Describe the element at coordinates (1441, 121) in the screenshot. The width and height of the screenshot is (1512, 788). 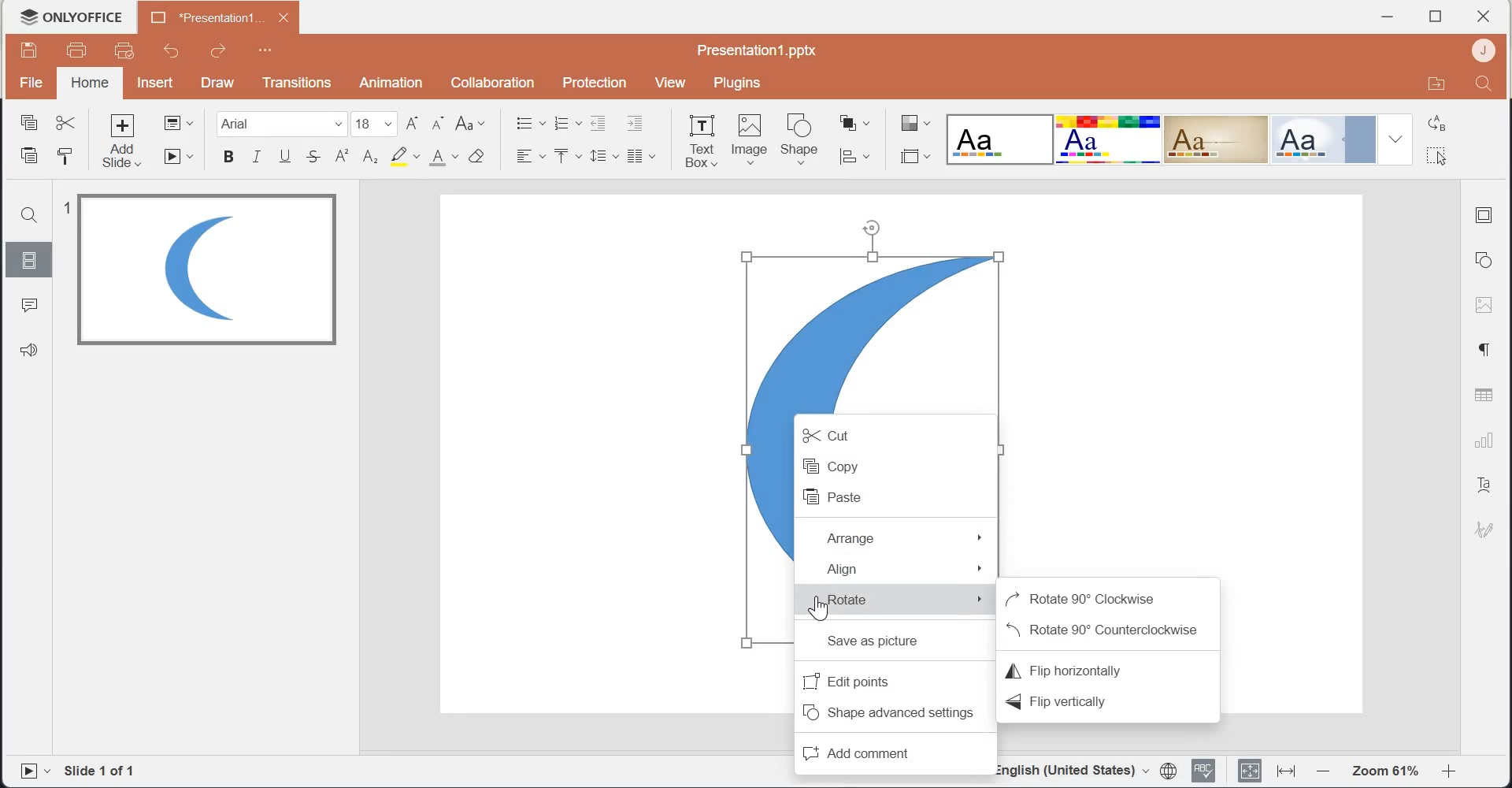
I see `Replace` at that location.